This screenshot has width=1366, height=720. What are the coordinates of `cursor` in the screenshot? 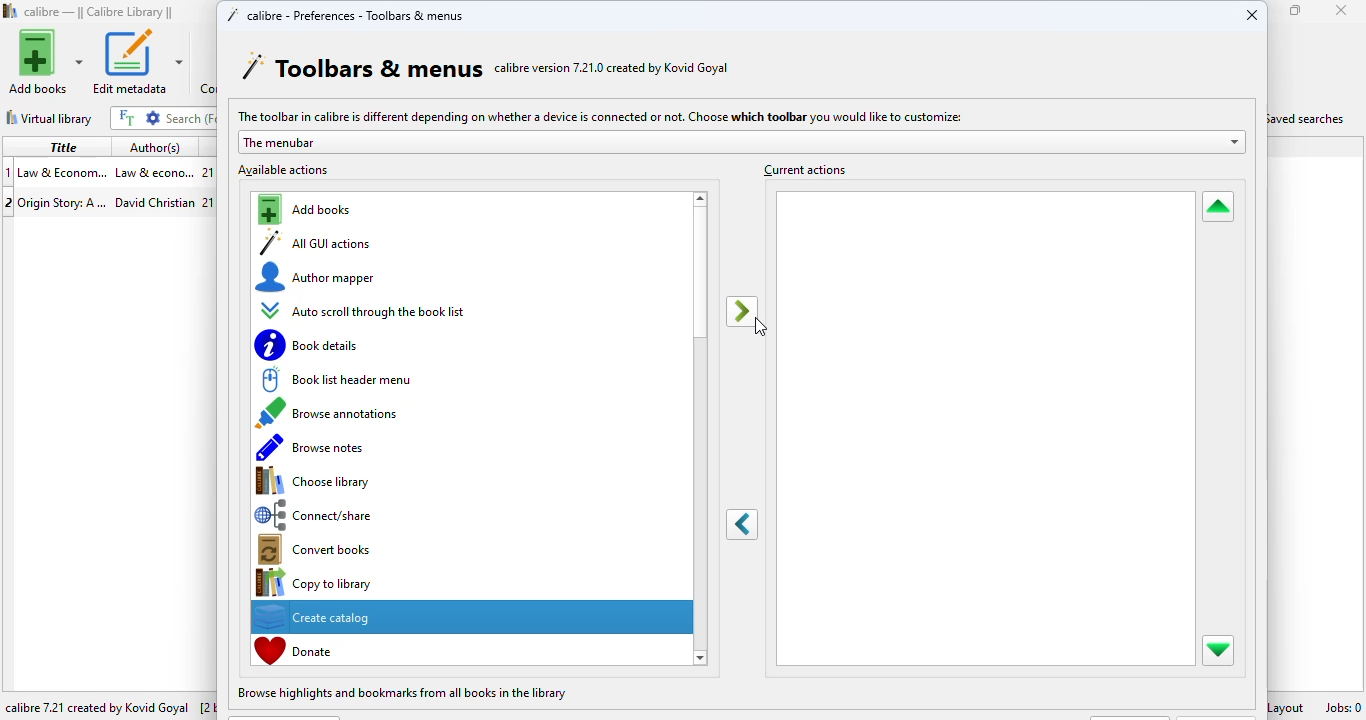 It's located at (761, 327).